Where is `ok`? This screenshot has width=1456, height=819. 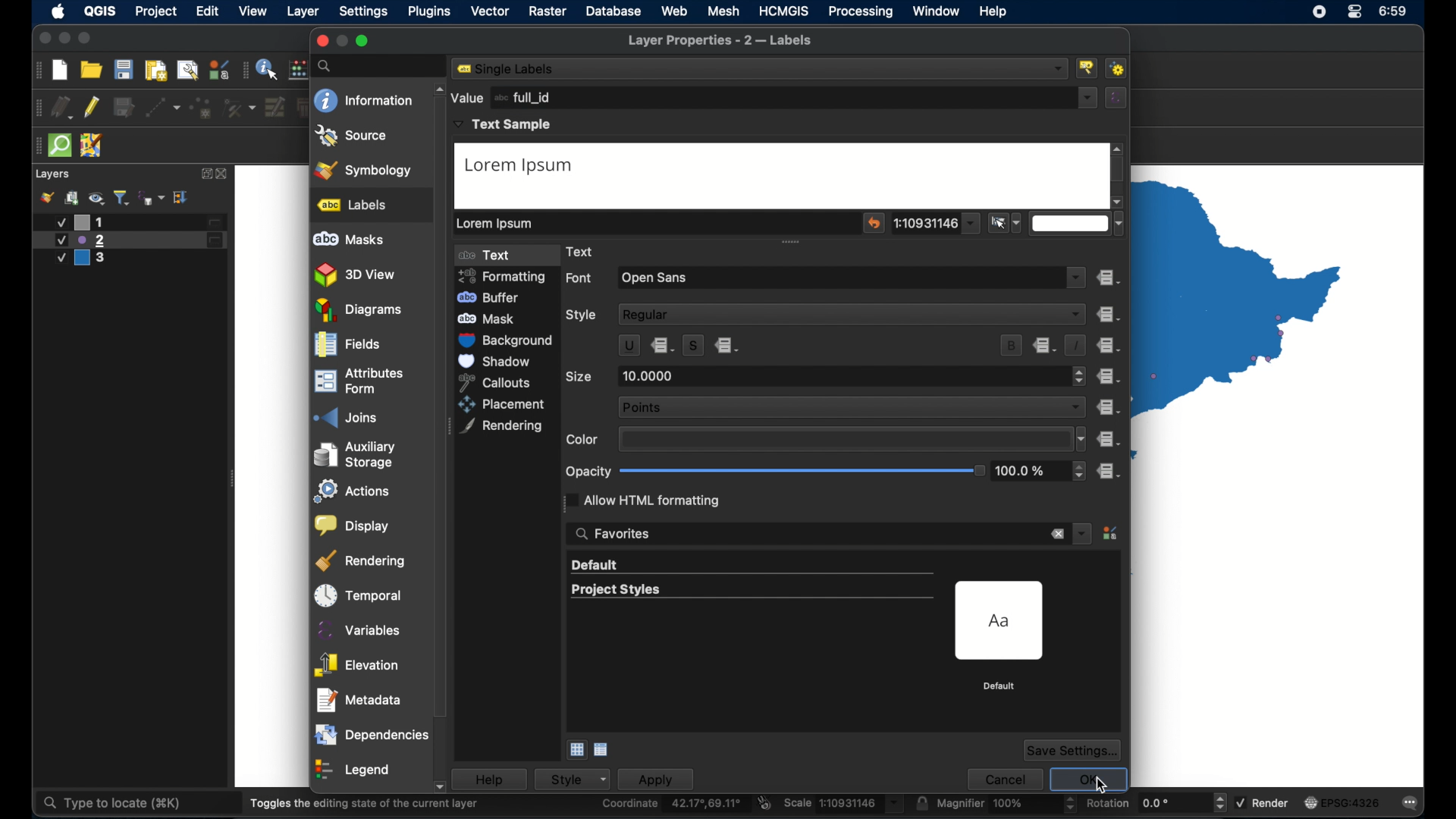 ok is located at coordinates (1088, 776).